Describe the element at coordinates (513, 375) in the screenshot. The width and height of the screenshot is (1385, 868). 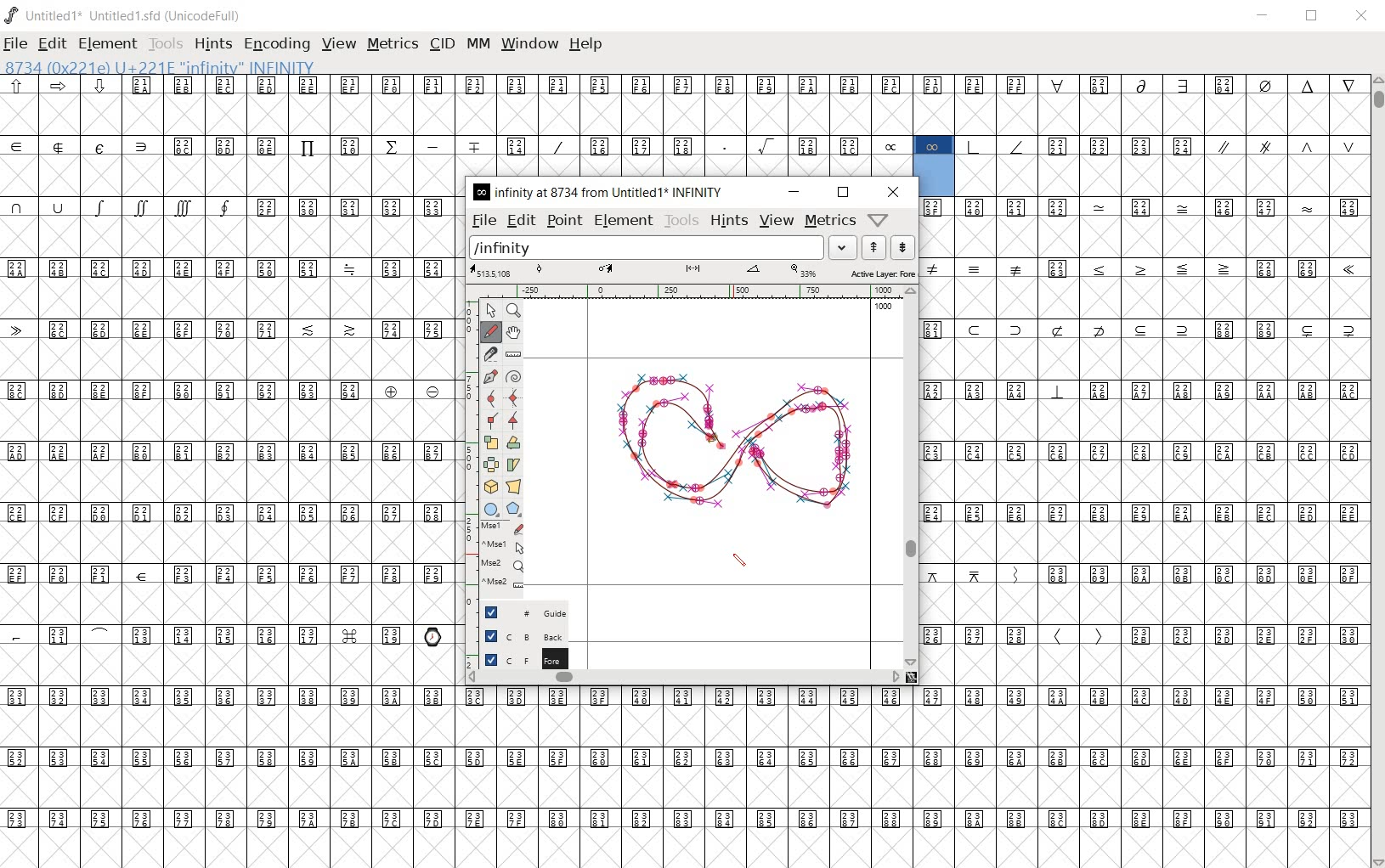
I see `change whether spiro is active or not` at that location.